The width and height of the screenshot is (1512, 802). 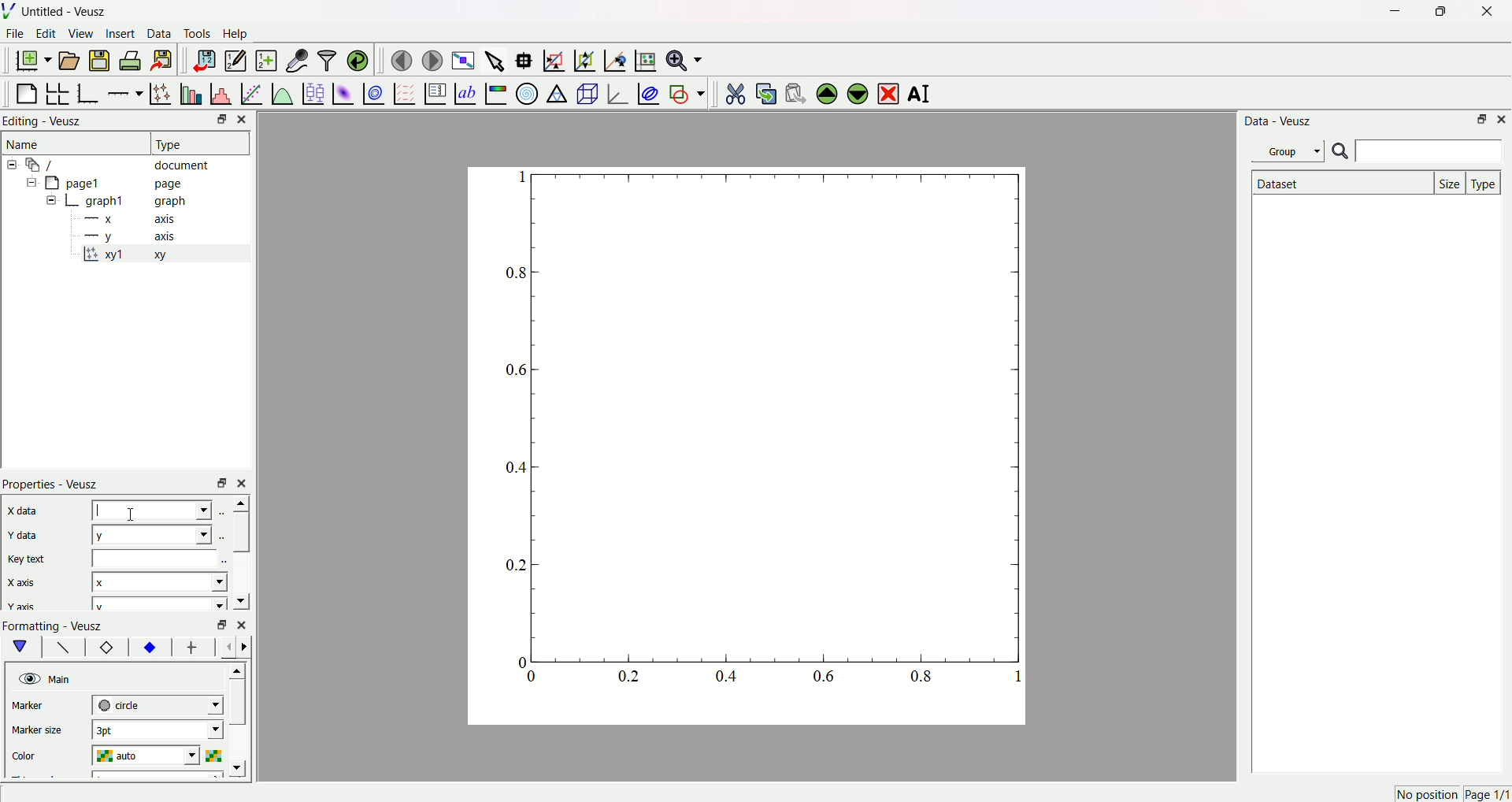 I want to click on Formatting - Veusz, so click(x=61, y=626).